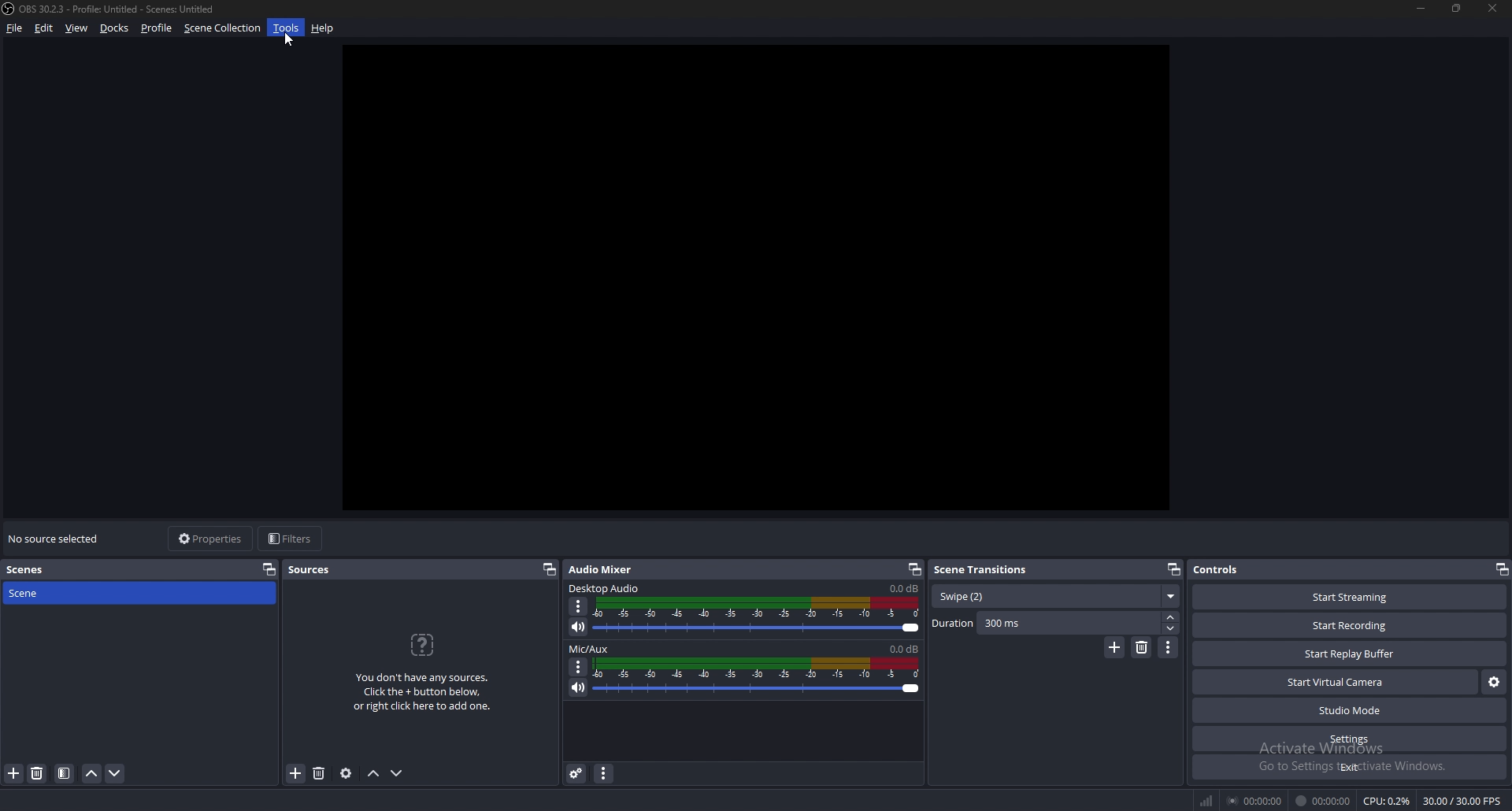 Image resolution: width=1512 pixels, height=811 pixels. Describe the element at coordinates (113, 9) in the screenshot. I see `title` at that location.